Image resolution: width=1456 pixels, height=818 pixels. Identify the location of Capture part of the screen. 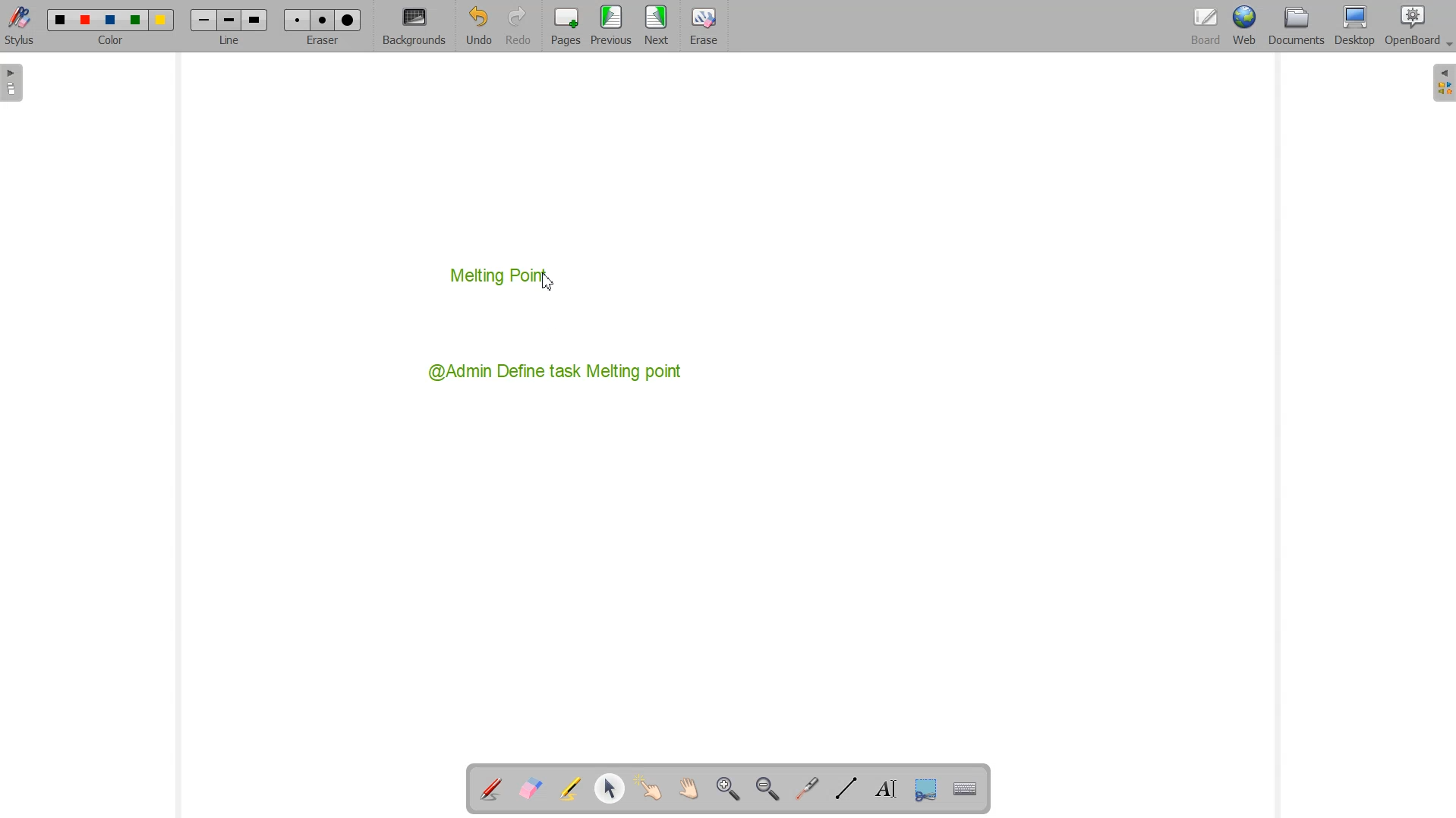
(923, 788).